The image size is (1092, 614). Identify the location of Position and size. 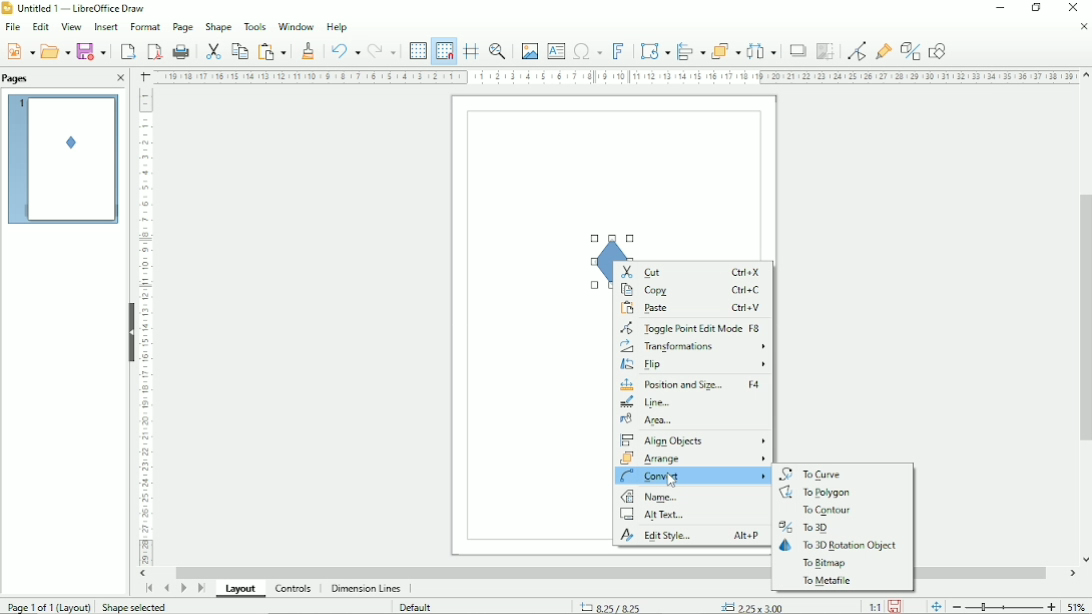
(693, 386).